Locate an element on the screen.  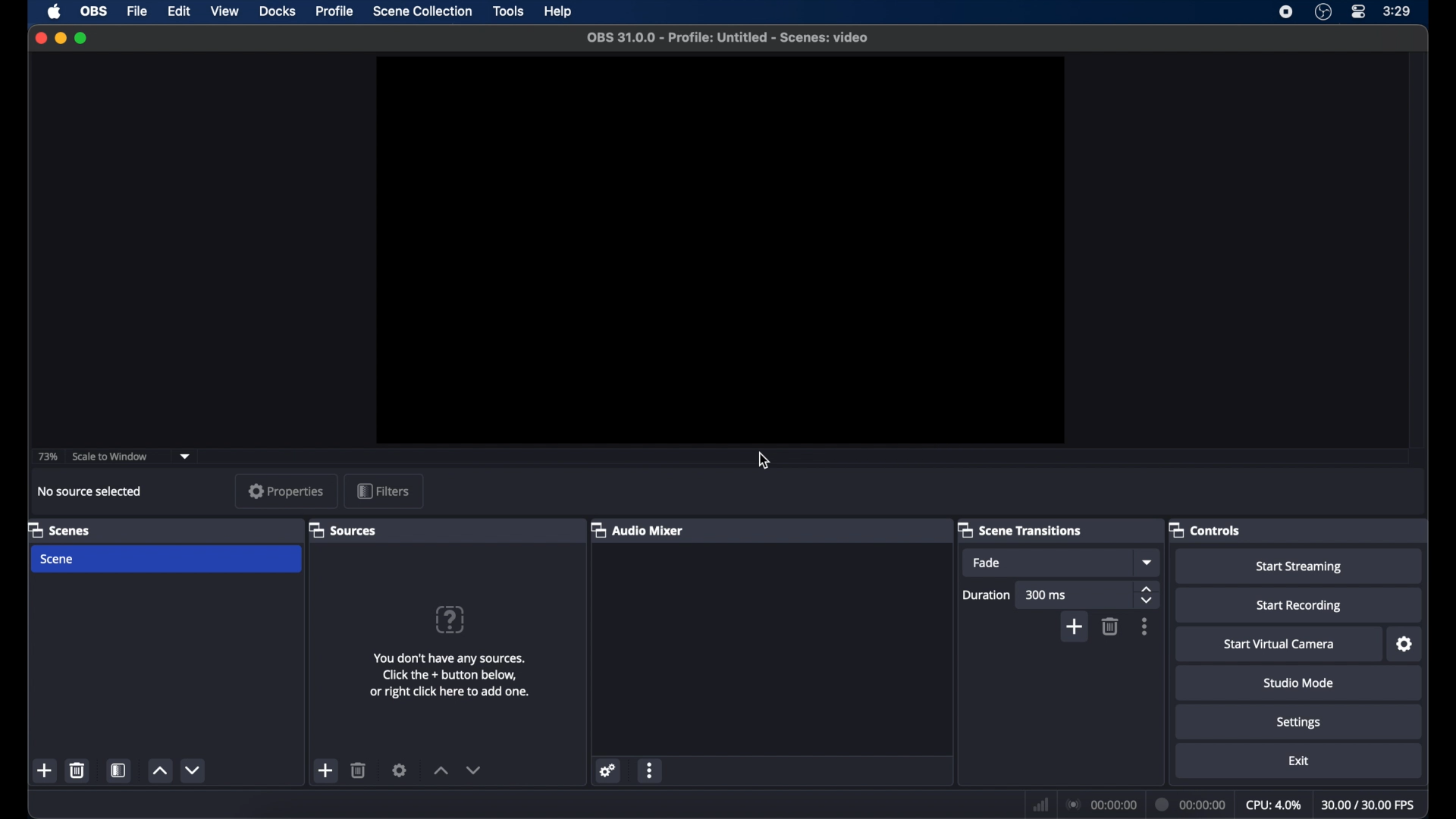
cpu is located at coordinates (1274, 804).